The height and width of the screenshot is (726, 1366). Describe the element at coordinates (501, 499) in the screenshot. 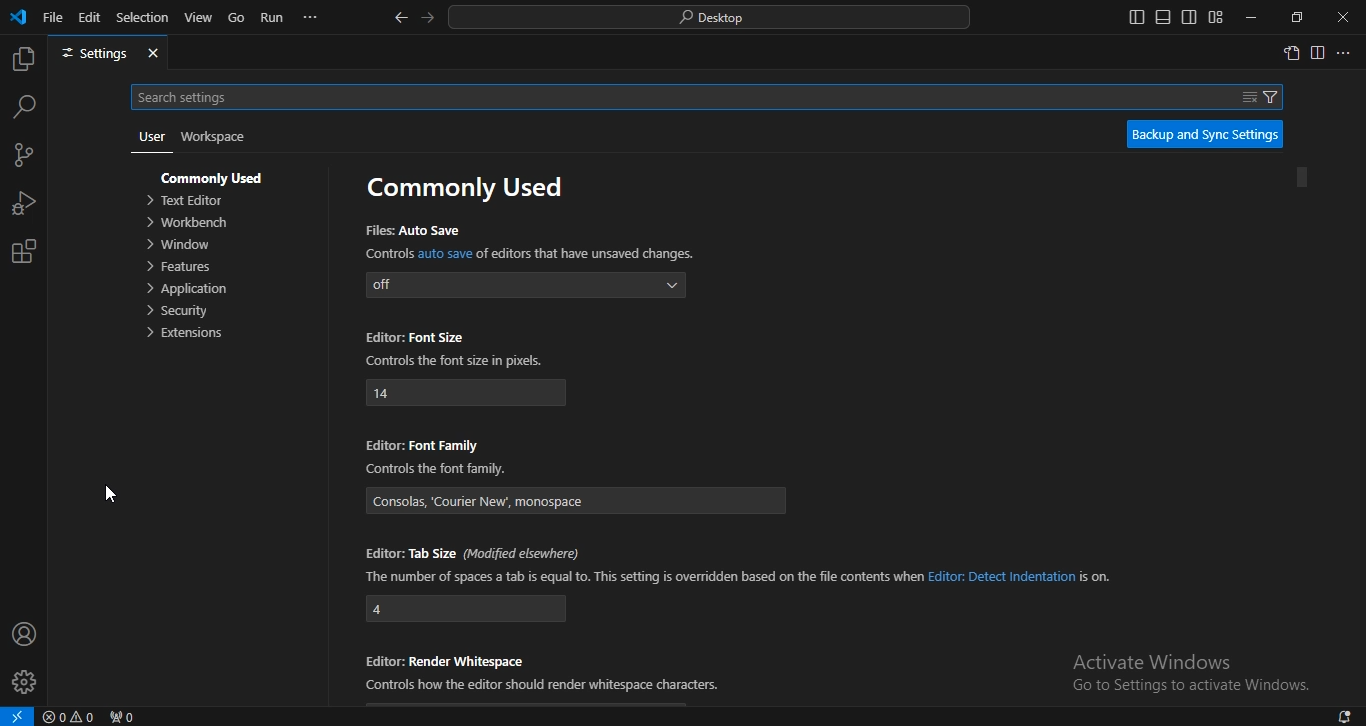

I see `‘Consolas, ‘Courier New’. monospace` at that location.